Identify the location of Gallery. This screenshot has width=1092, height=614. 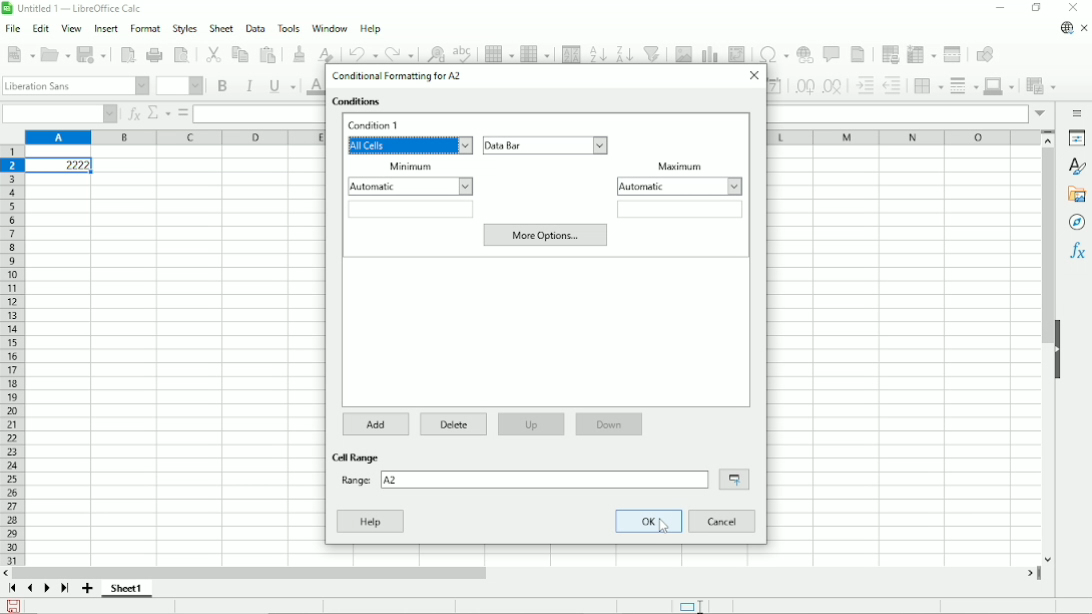
(1076, 195).